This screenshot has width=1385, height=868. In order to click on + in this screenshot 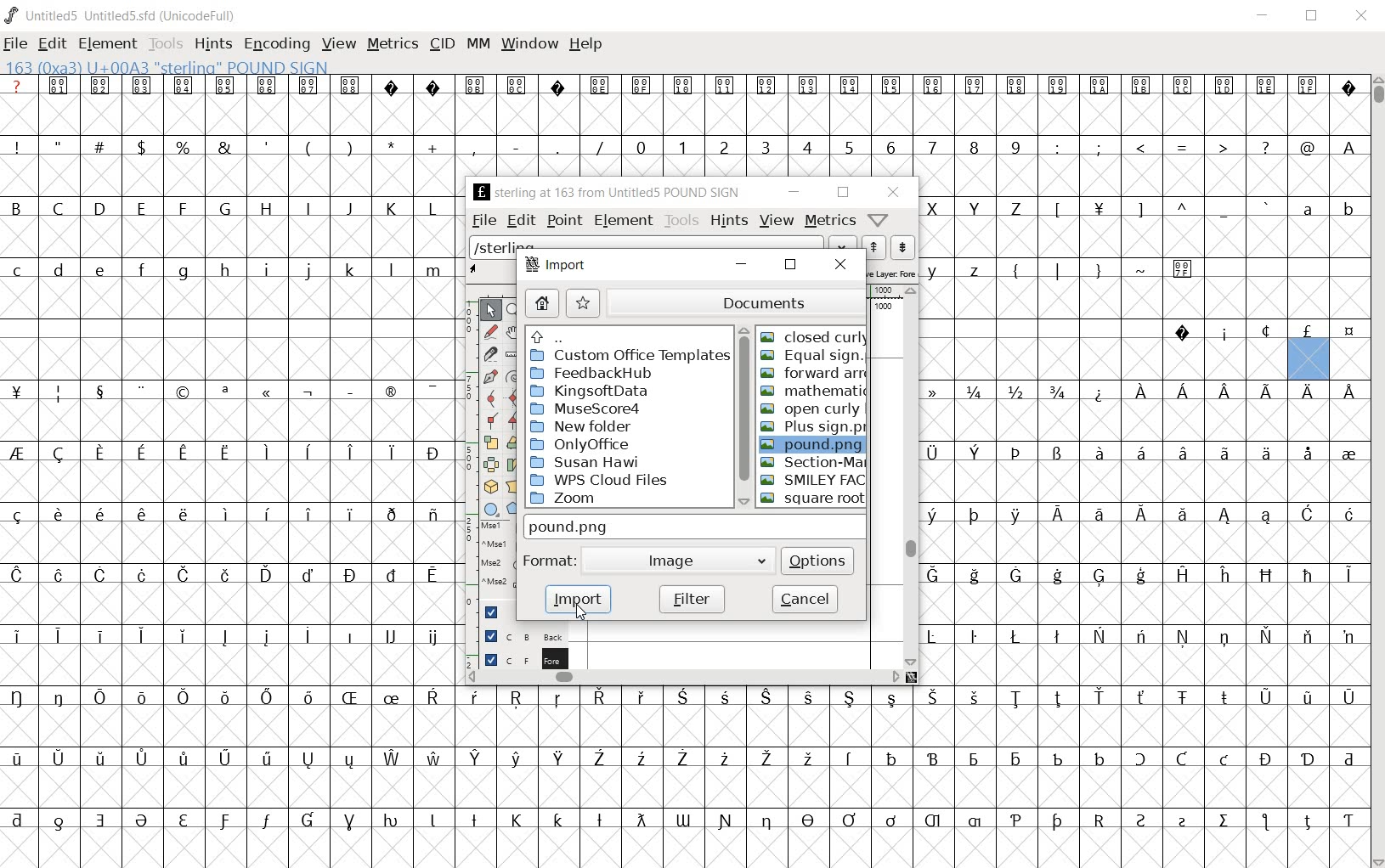, I will do `click(434, 148)`.